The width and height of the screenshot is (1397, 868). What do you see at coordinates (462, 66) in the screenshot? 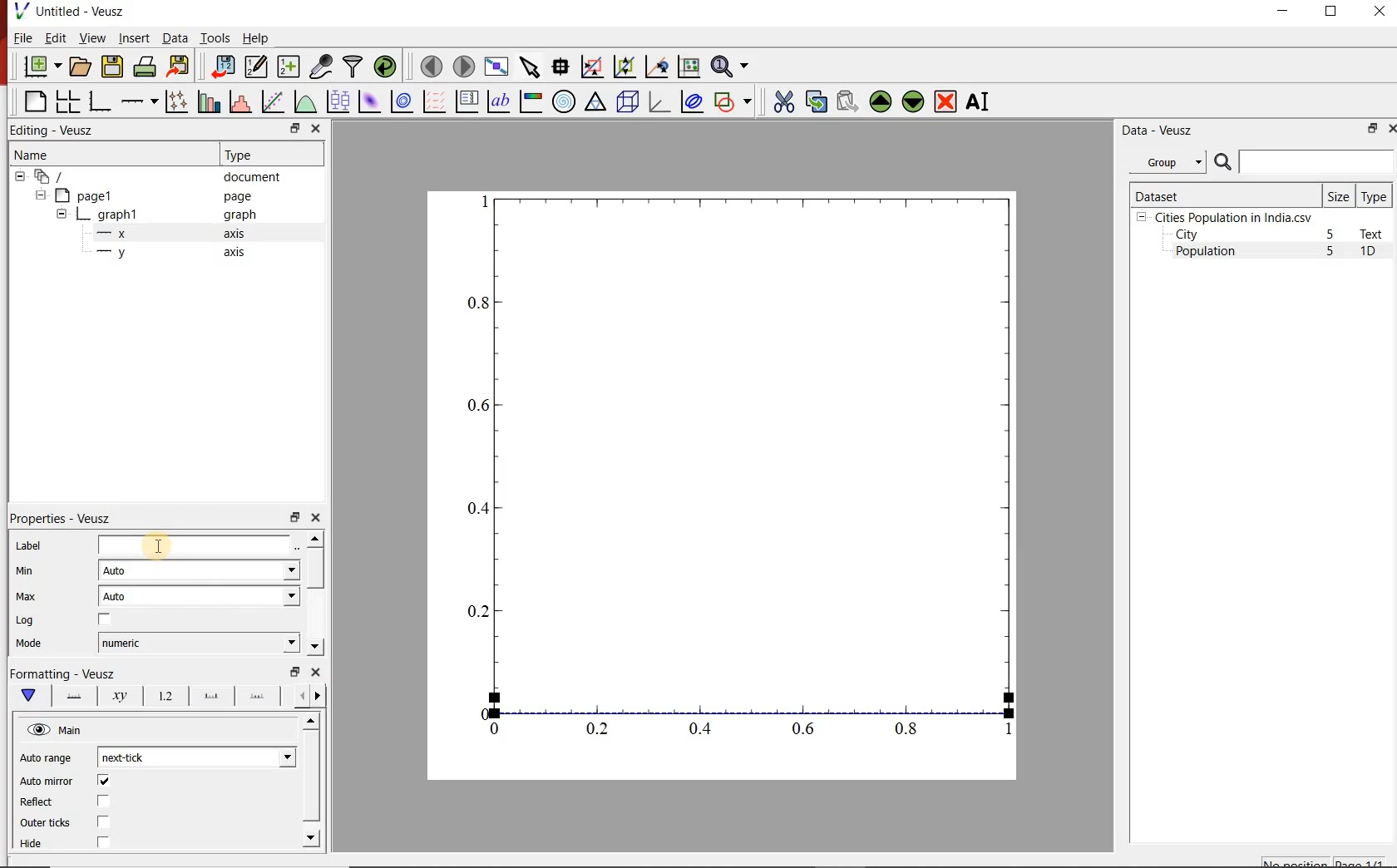
I see `move to the next page` at bounding box center [462, 66].